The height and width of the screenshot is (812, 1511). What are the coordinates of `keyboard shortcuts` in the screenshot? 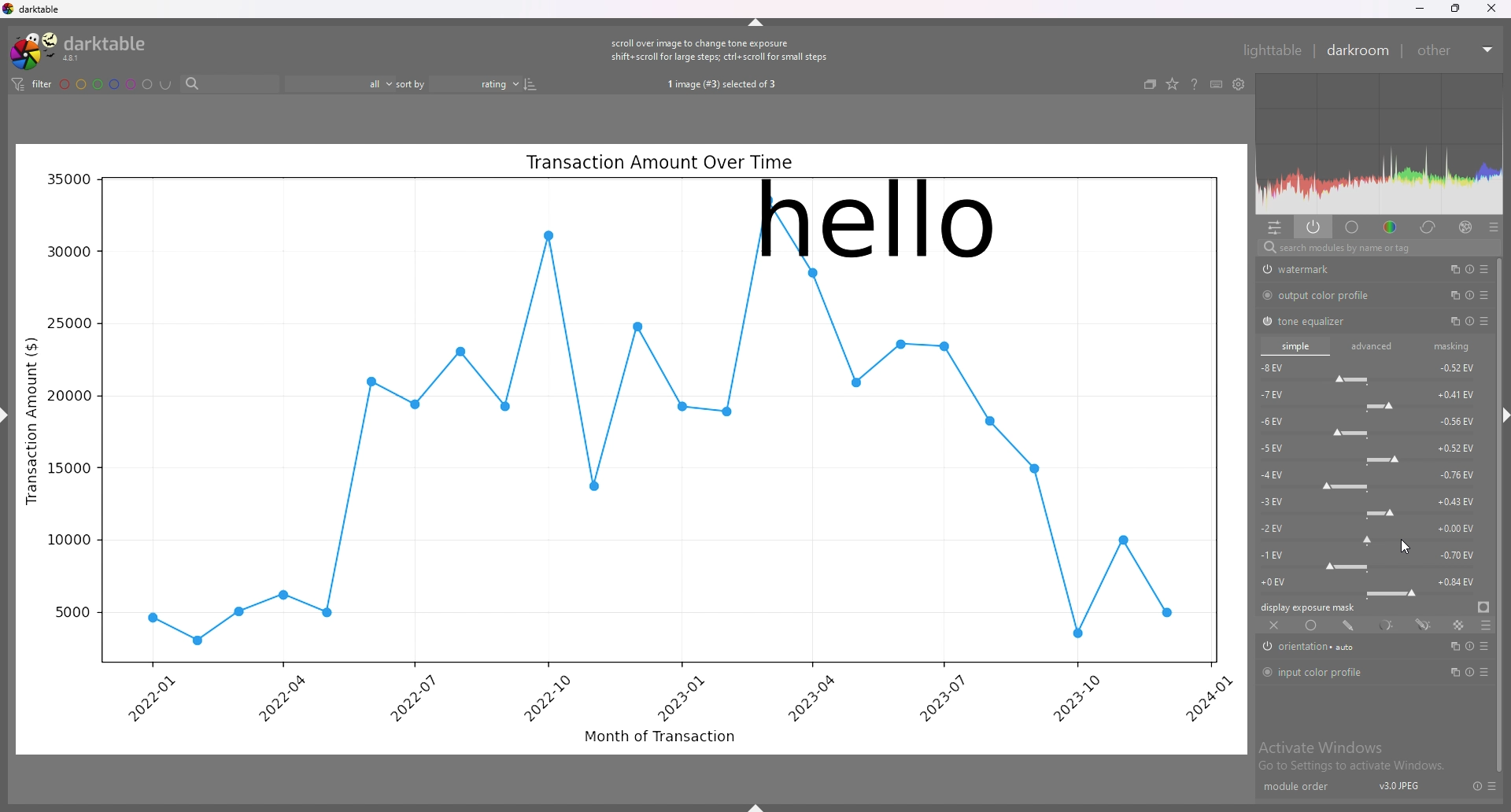 It's located at (1216, 84).